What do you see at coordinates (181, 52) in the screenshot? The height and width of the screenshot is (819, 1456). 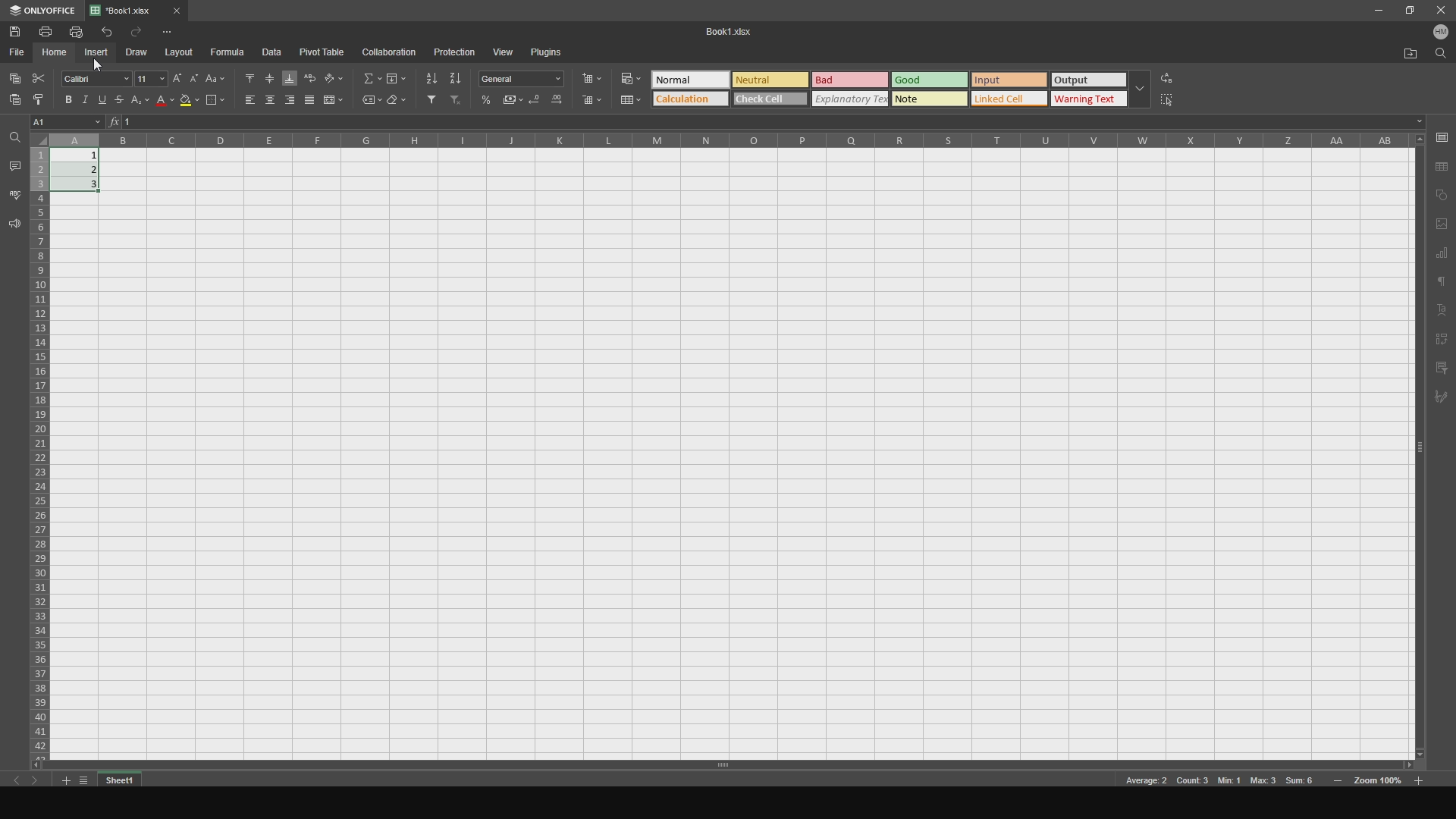 I see `layout` at bounding box center [181, 52].